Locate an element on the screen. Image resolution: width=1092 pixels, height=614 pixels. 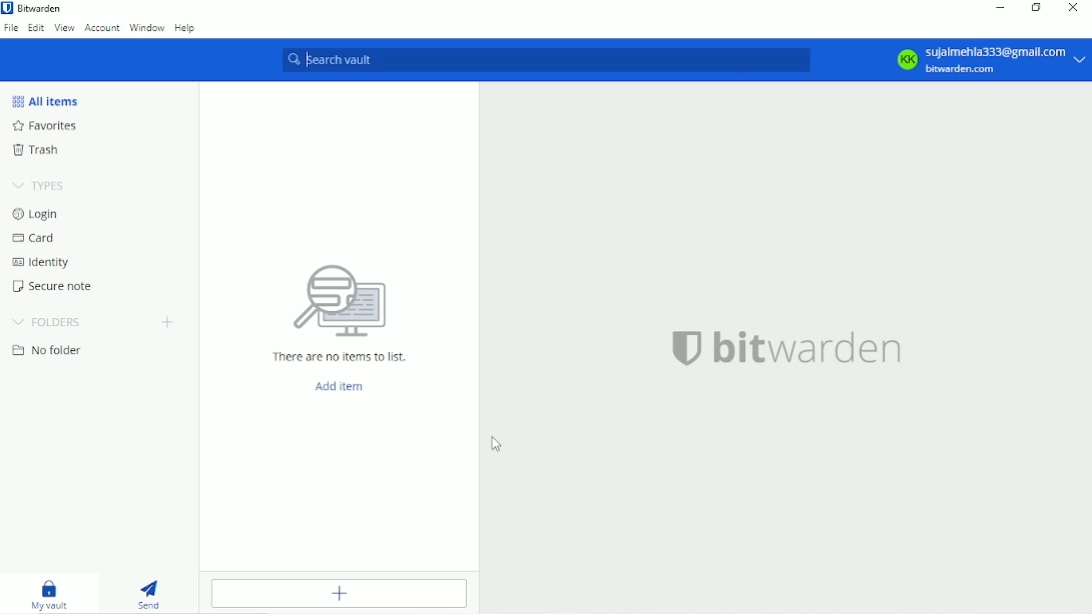
Edit is located at coordinates (37, 28).